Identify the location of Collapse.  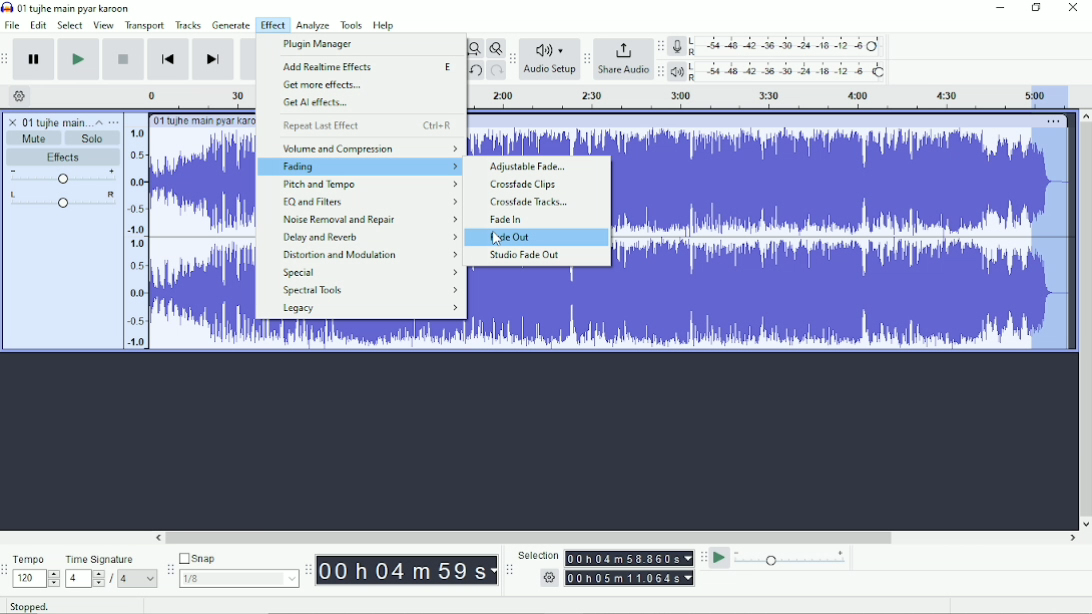
(101, 123).